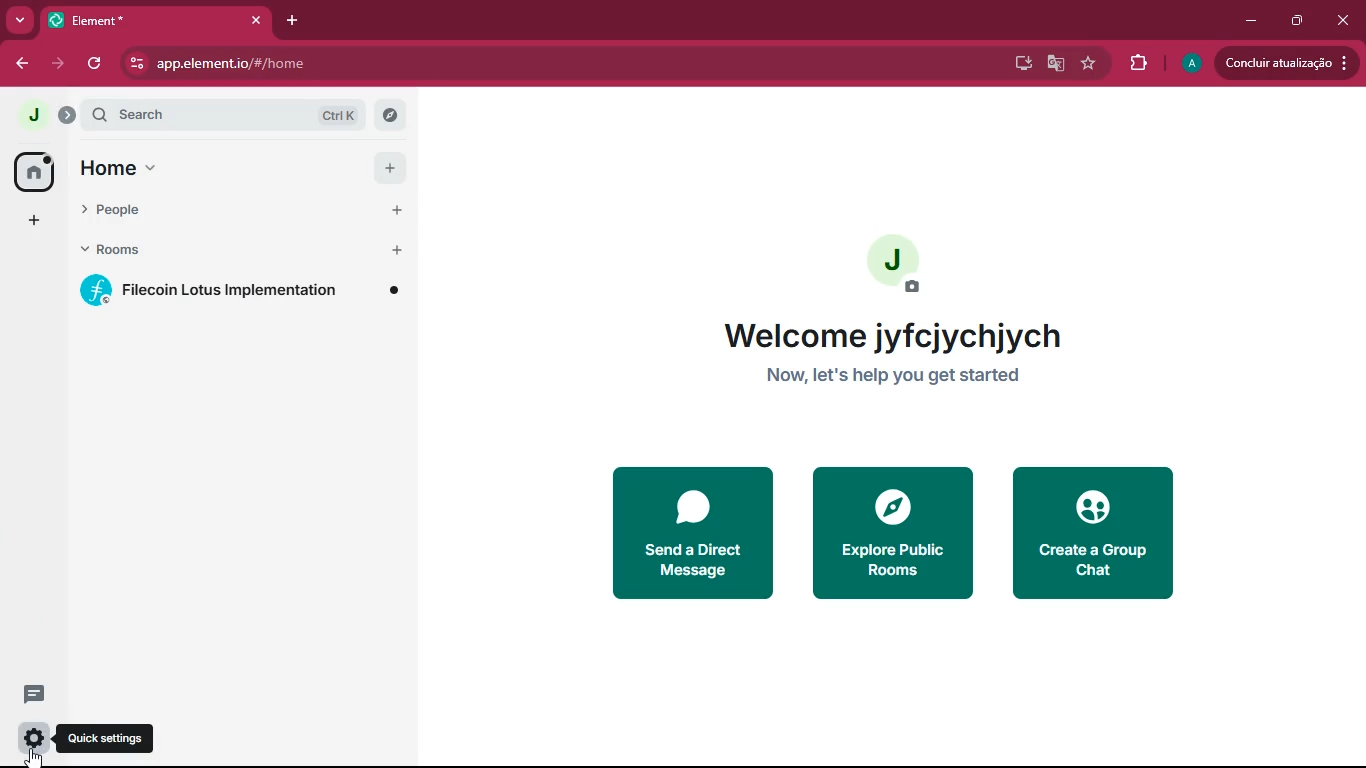 Image resolution: width=1366 pixels, height=768 pixels. I want to click on back, so click(24, 64).